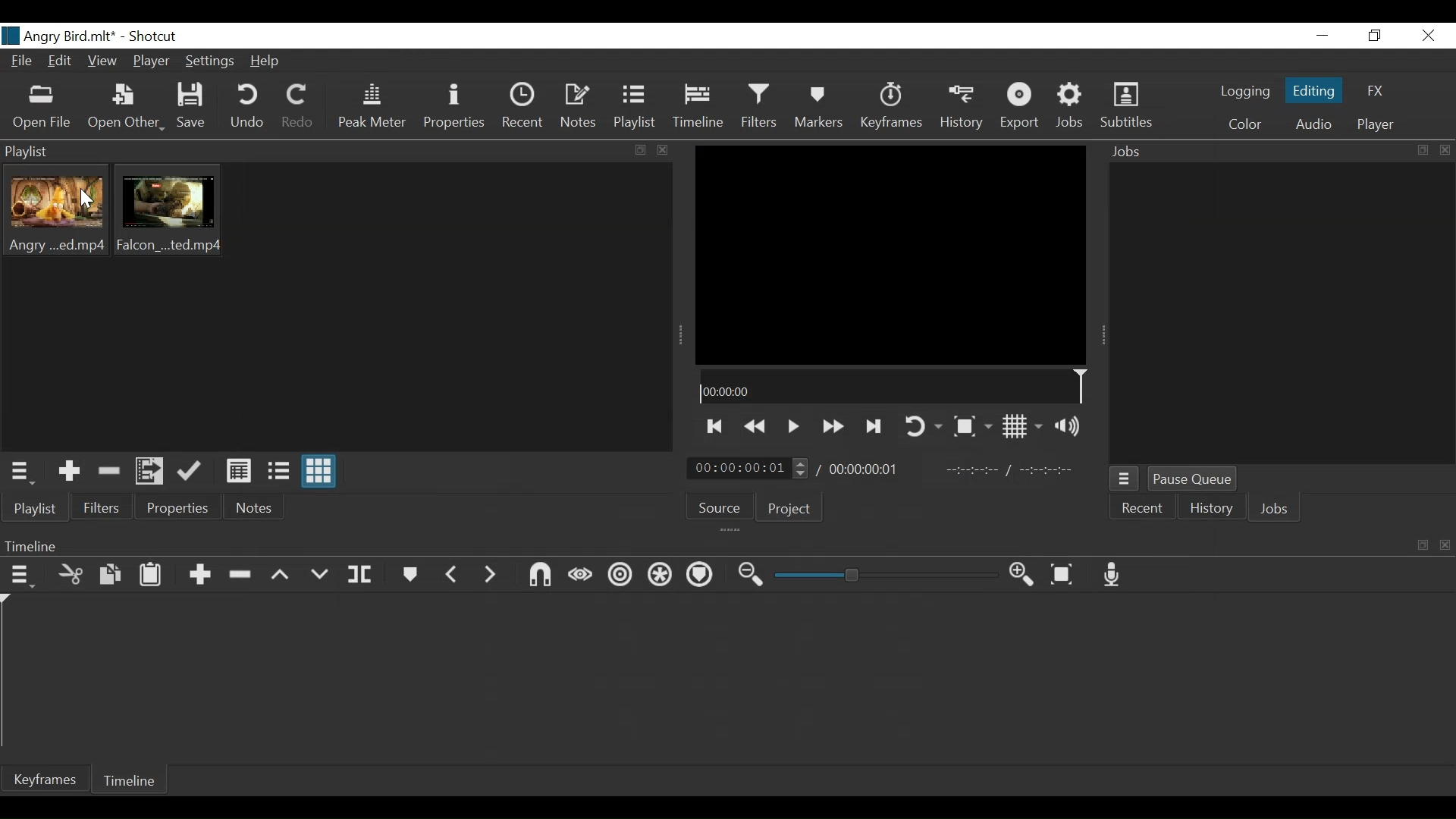 The image size is (1456, 819). I want to click on Cut, so click(71, 574).